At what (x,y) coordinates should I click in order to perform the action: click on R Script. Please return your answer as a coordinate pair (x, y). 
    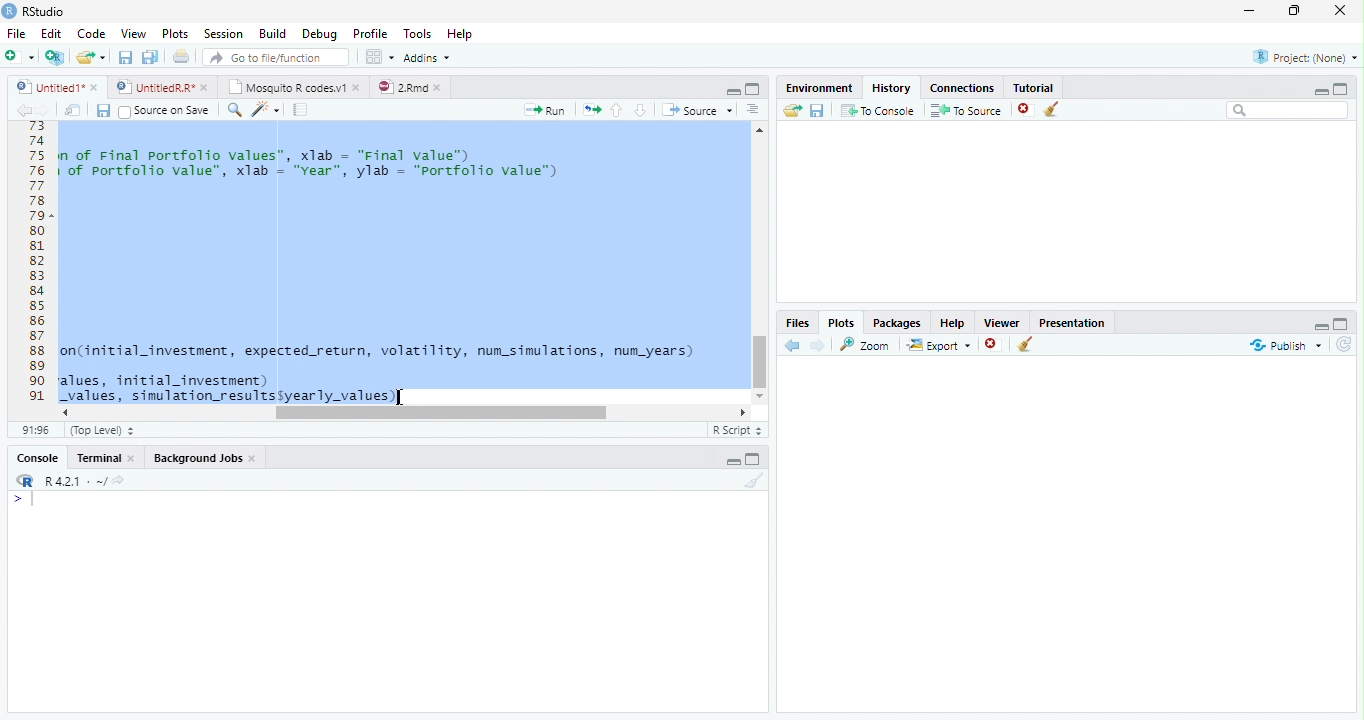
    Looking at the image, I should click on (737, 430).